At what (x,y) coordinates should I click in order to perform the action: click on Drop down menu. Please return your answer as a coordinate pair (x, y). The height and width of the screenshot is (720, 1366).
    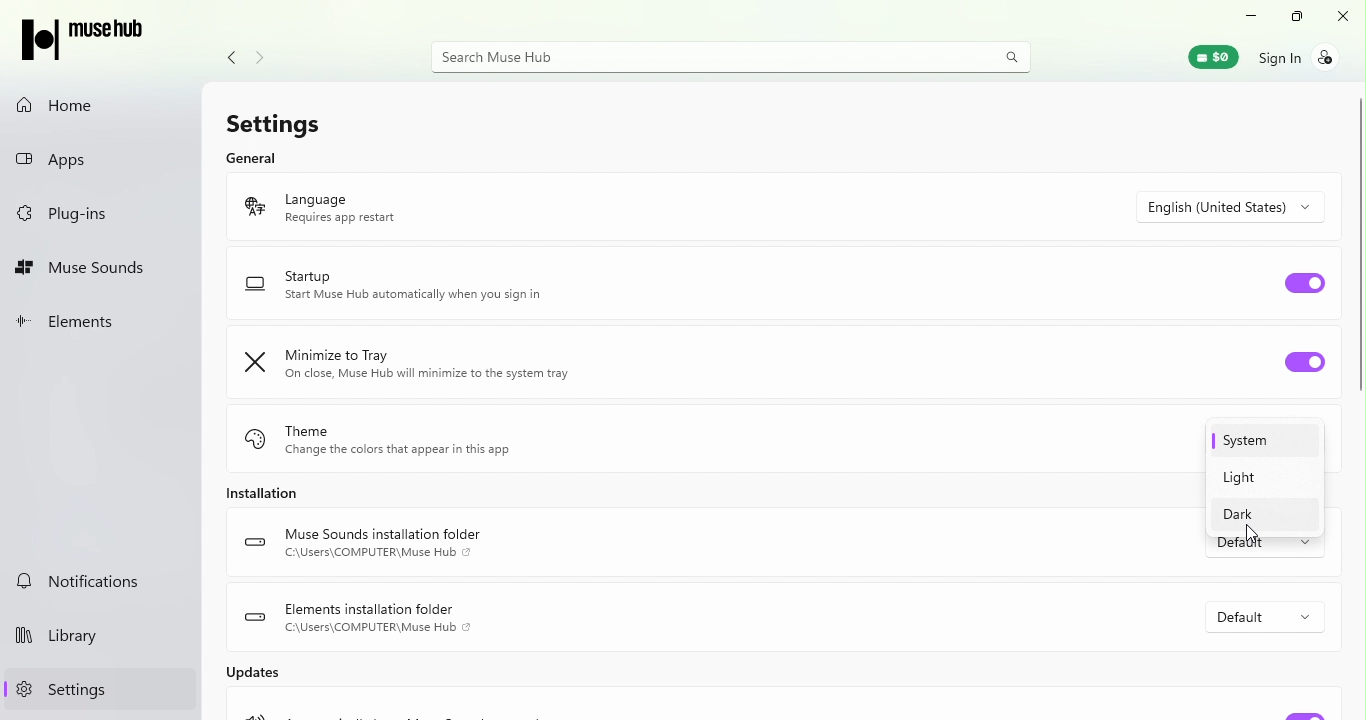
    Looking at the image, I should click on (1226, 207).